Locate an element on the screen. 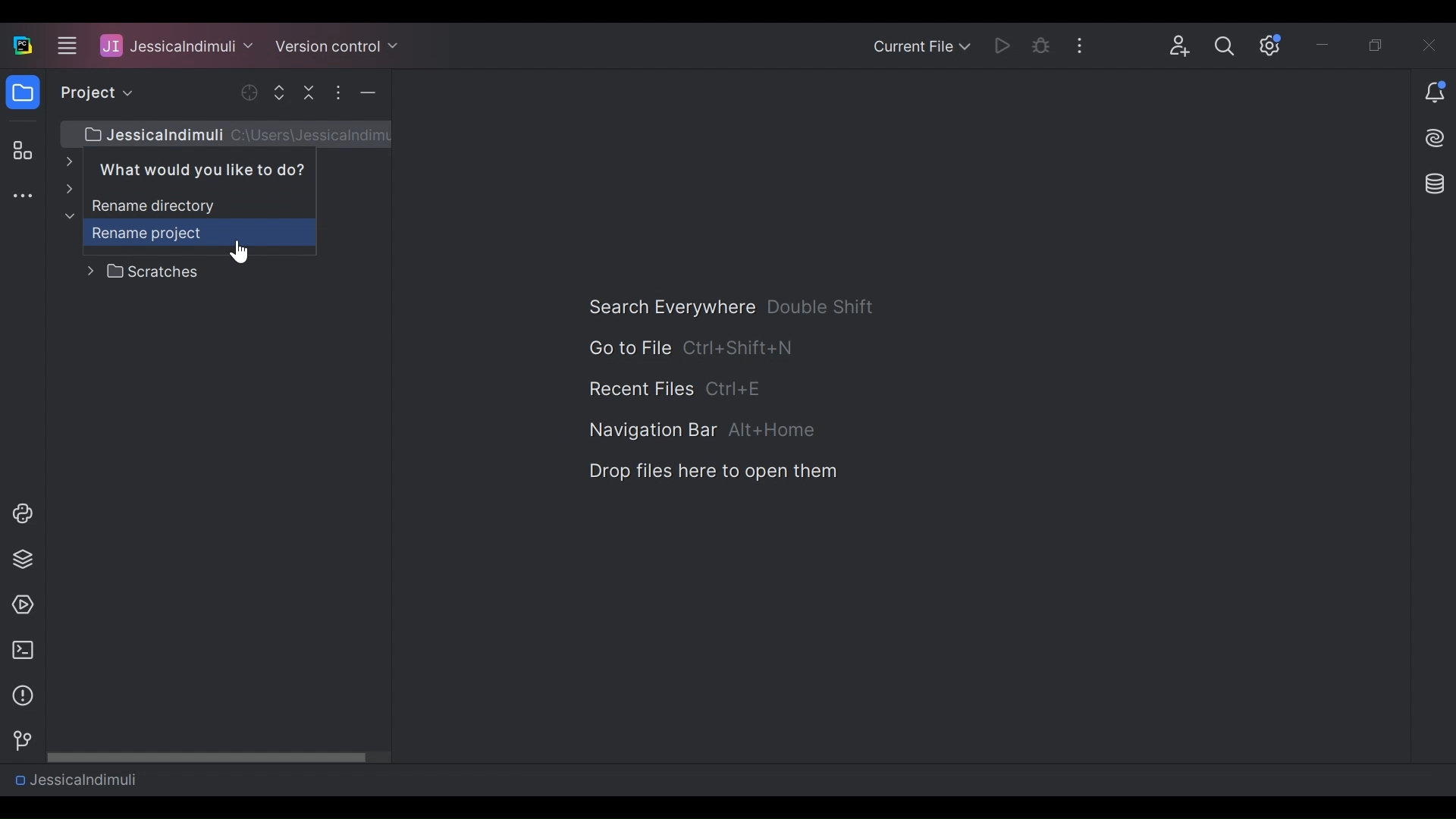  Collapse All is located at coordinates (311, 92).